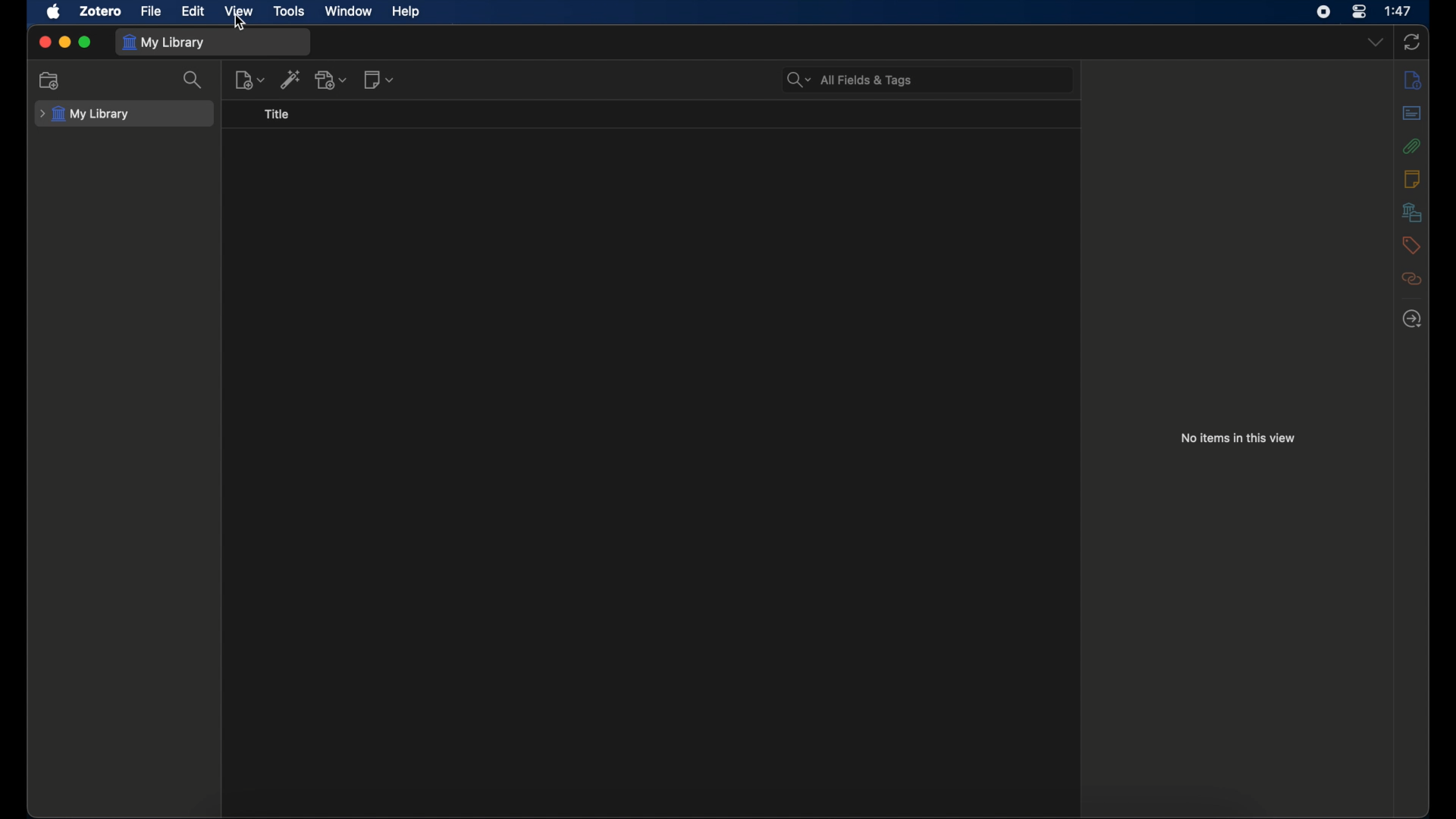  Describe the element at coordinates (1323, 11) in the screenshot. I see `screen recorder` at that location.